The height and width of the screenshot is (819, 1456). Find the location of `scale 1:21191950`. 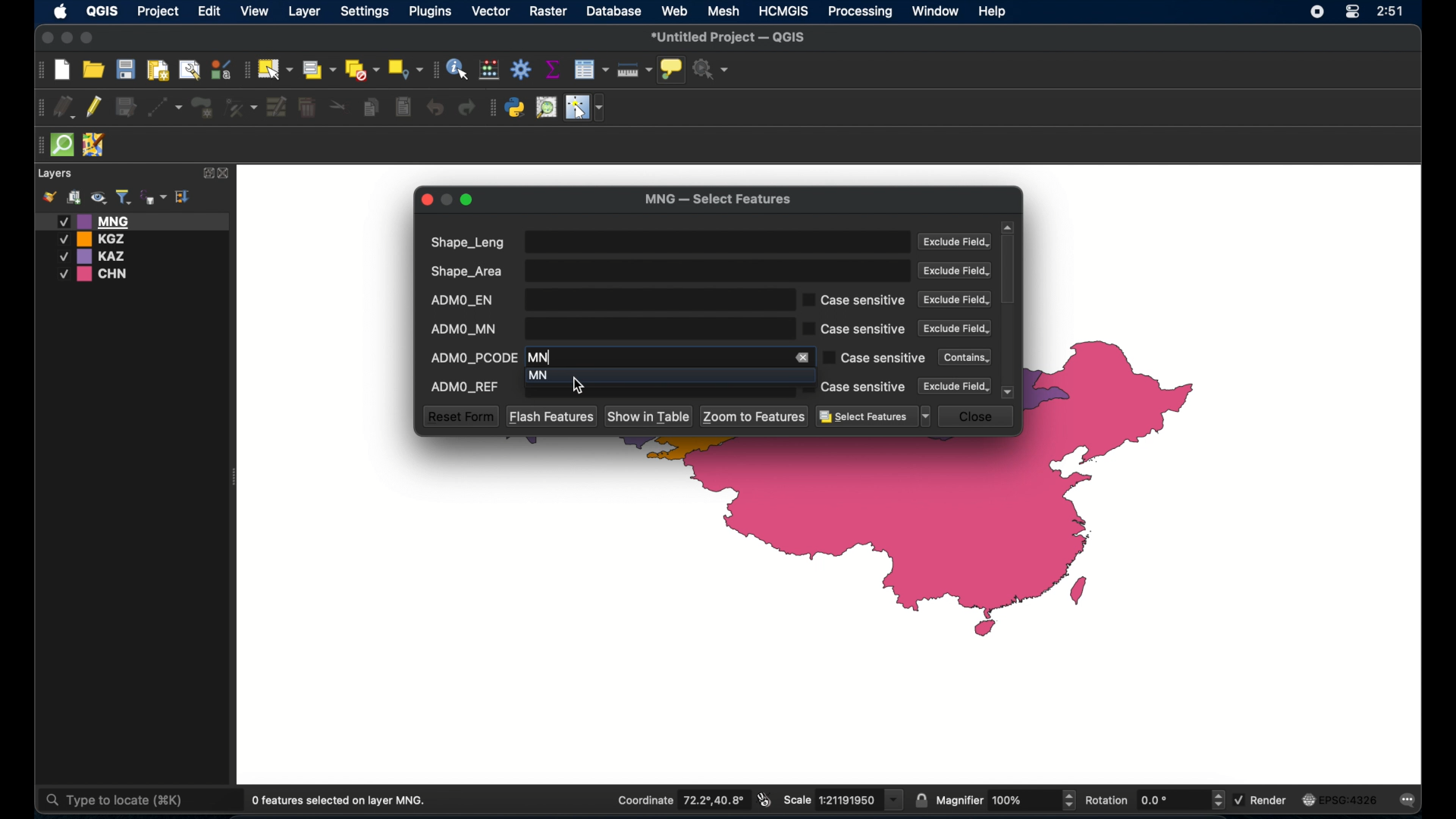

scale 1:21191950 is located at coordinates (844, 800).